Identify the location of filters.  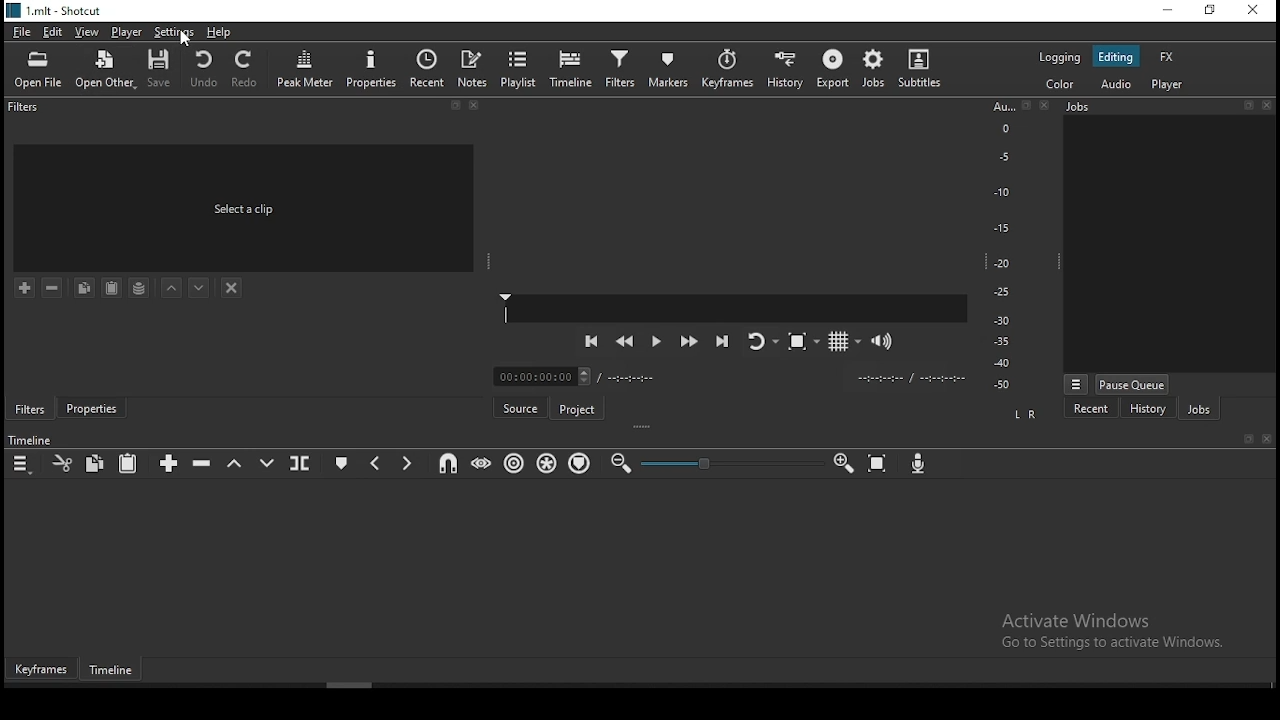
(25, 110).